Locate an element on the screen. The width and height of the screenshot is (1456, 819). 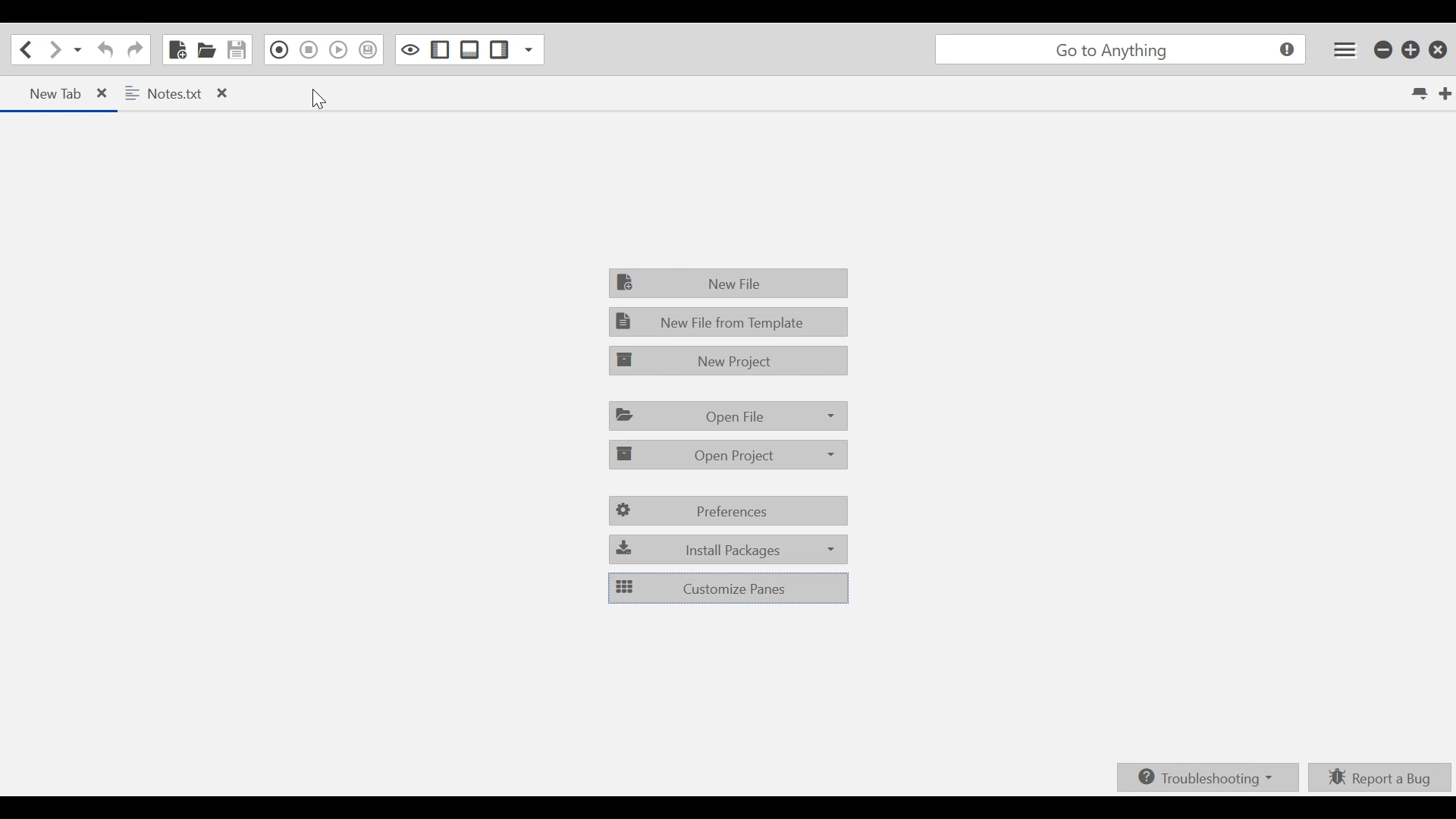
Show specific Side Pan is located at coordinates (527, 50).